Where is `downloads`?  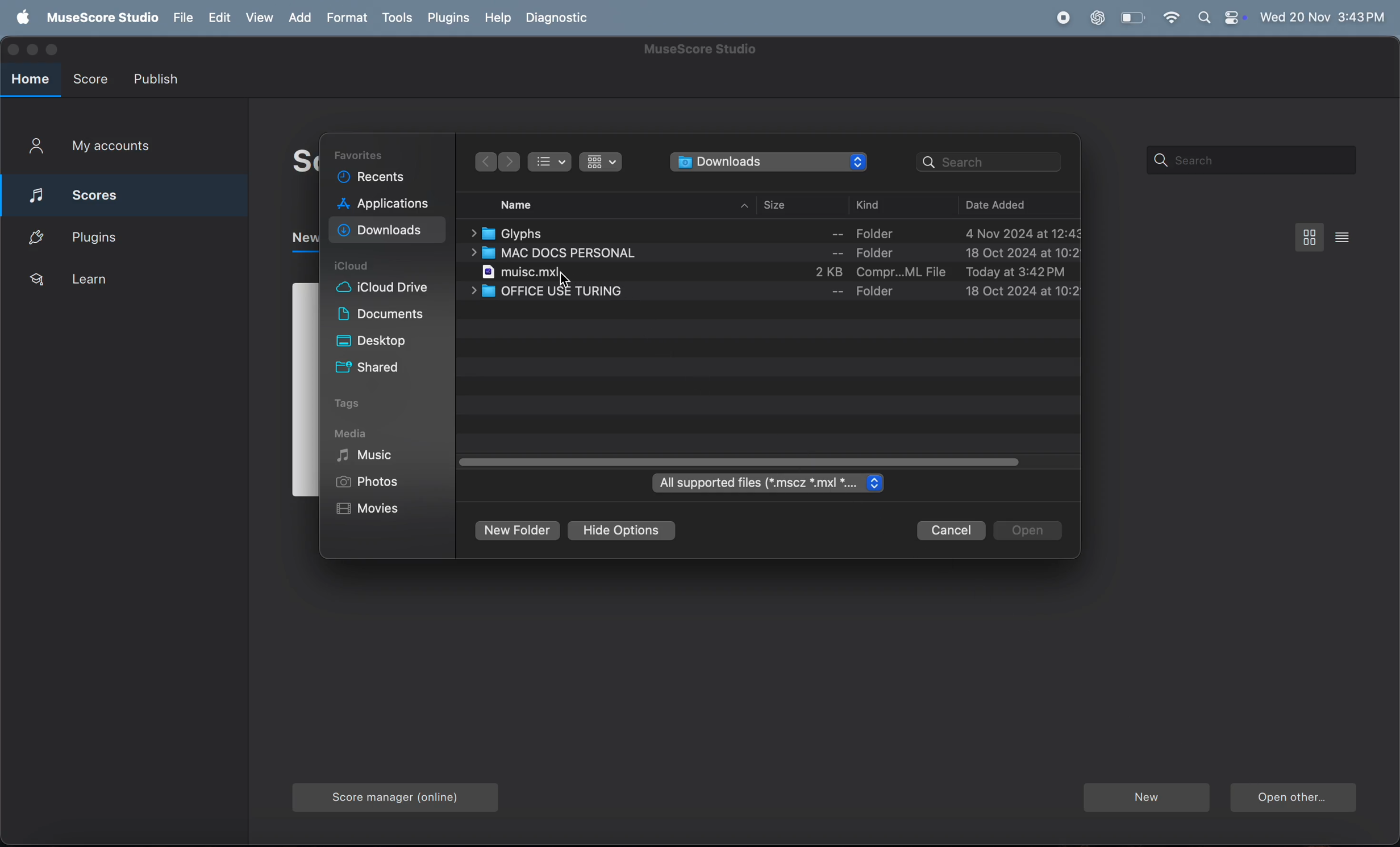
downloads is located at coordinates (388, 232).